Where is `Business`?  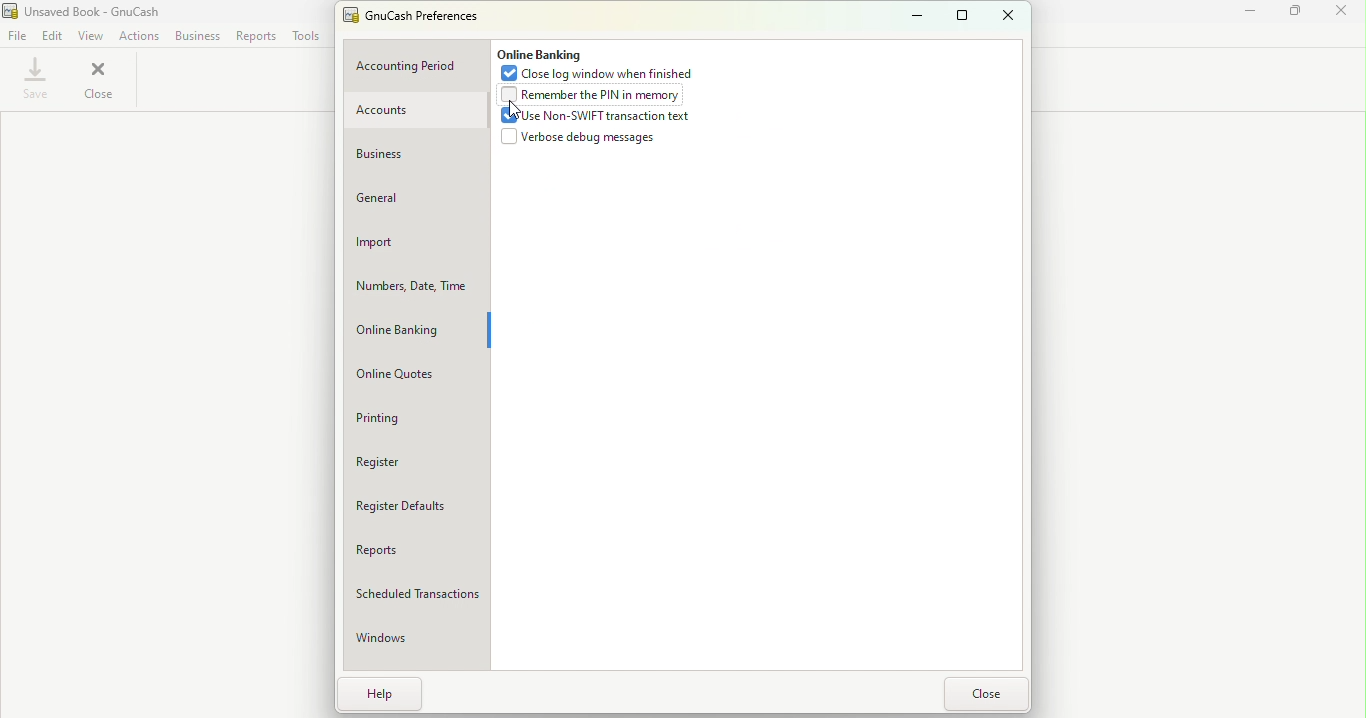
Business is located at coordinates (198, 37).